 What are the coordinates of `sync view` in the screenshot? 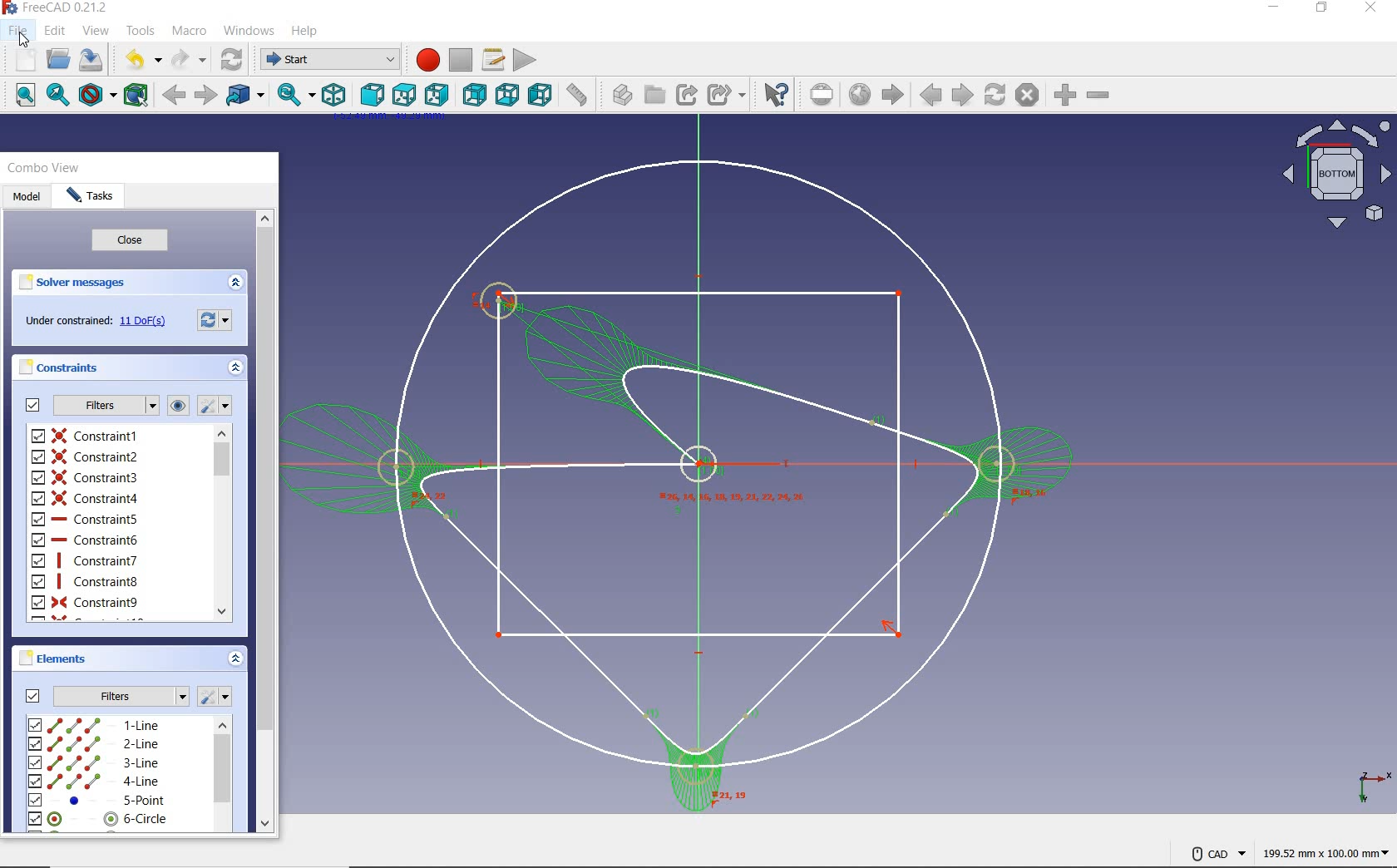 It's located at (293, 96).